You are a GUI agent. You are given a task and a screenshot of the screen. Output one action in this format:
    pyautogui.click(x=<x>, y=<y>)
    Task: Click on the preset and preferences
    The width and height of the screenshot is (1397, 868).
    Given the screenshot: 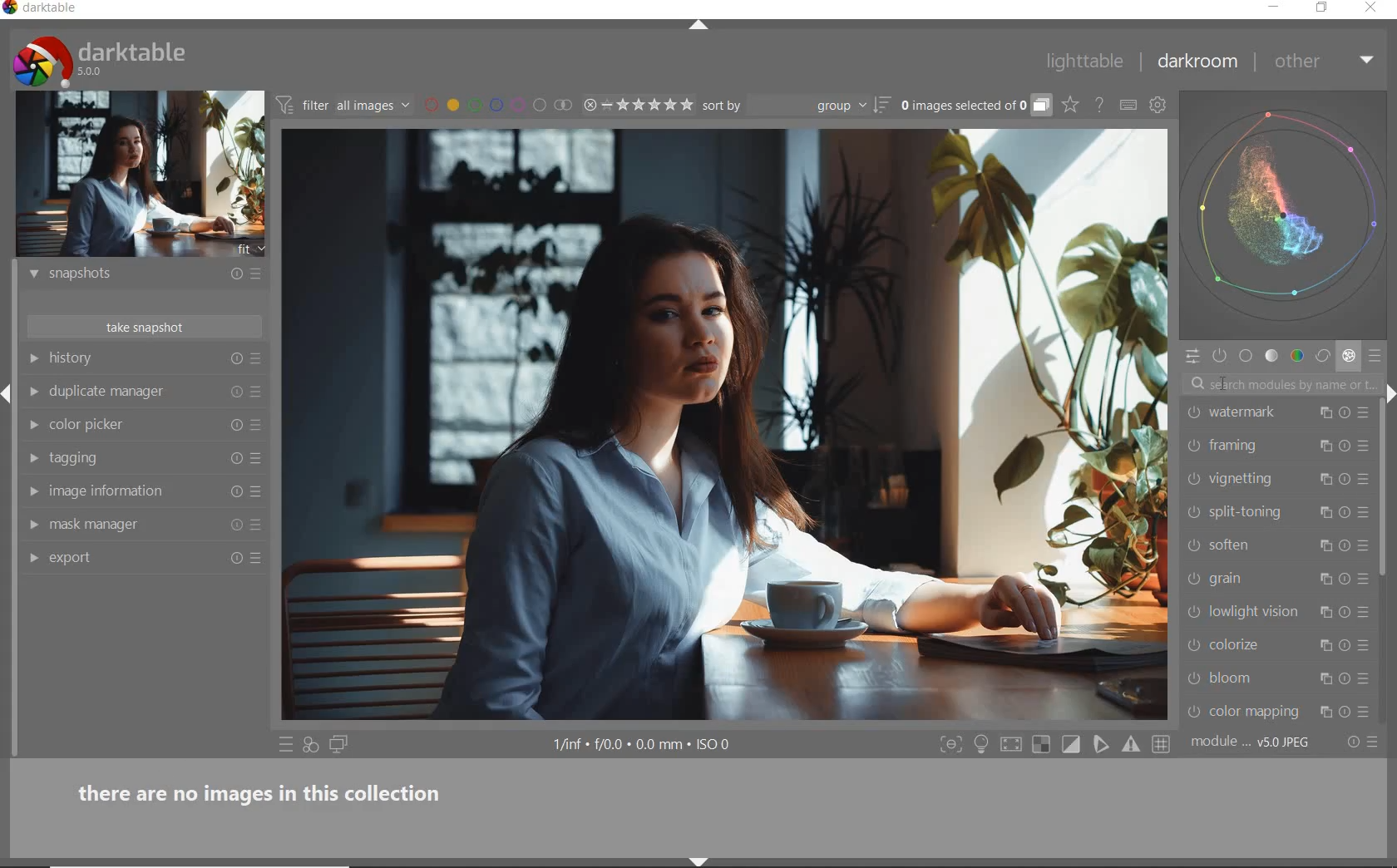 What is the action you would take?
    pyautogui.click(x=1367, y=713)
    